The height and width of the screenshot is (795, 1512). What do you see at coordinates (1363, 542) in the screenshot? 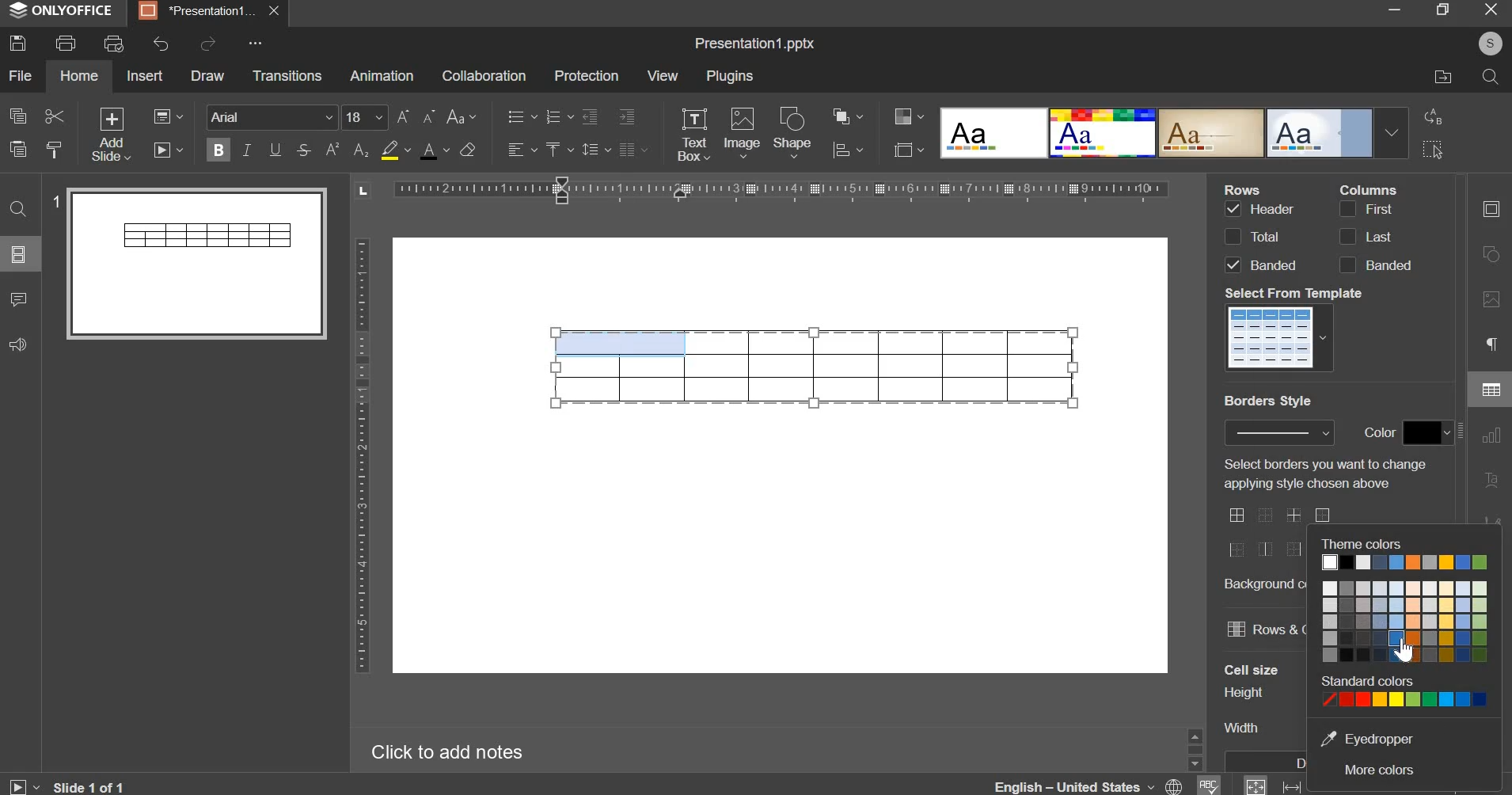
I see `Theme colors` at bounding box center [1363, 542].